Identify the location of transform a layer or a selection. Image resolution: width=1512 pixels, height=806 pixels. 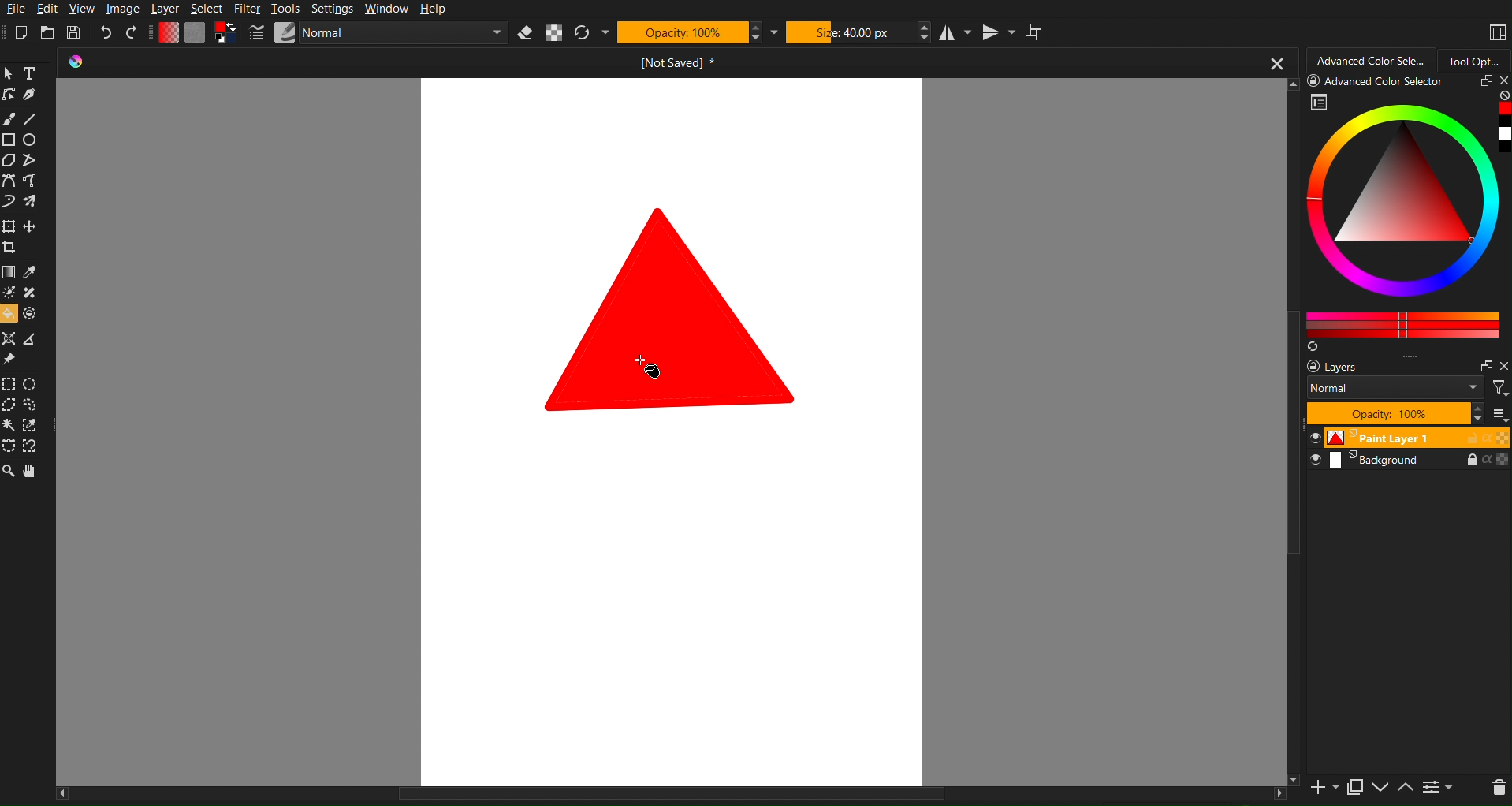
(9, 225).